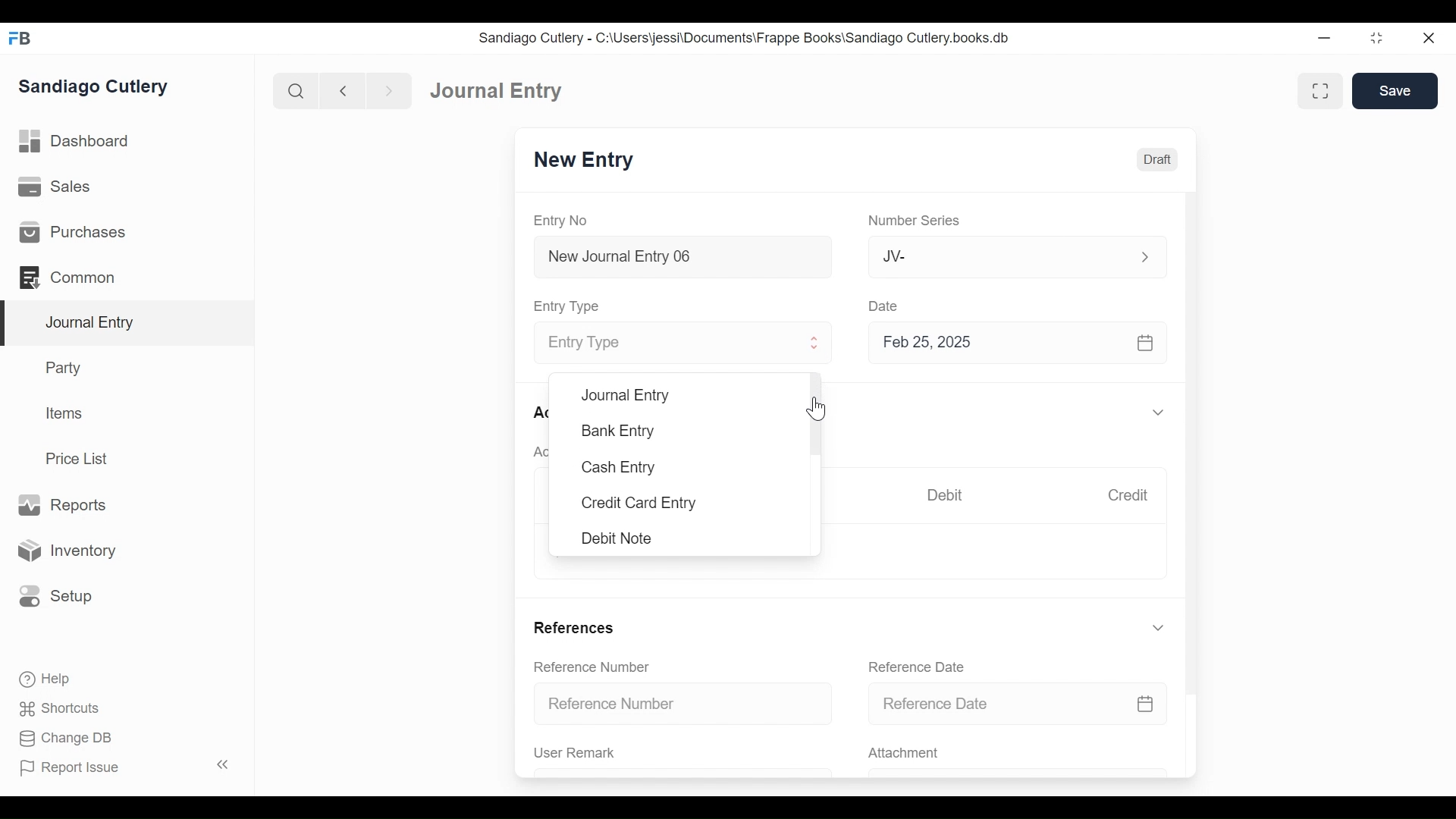 The image size is (1456, 819). Describe the element at coordinates (127, 767) in the screenshot. I see `Report Issue` at that location.